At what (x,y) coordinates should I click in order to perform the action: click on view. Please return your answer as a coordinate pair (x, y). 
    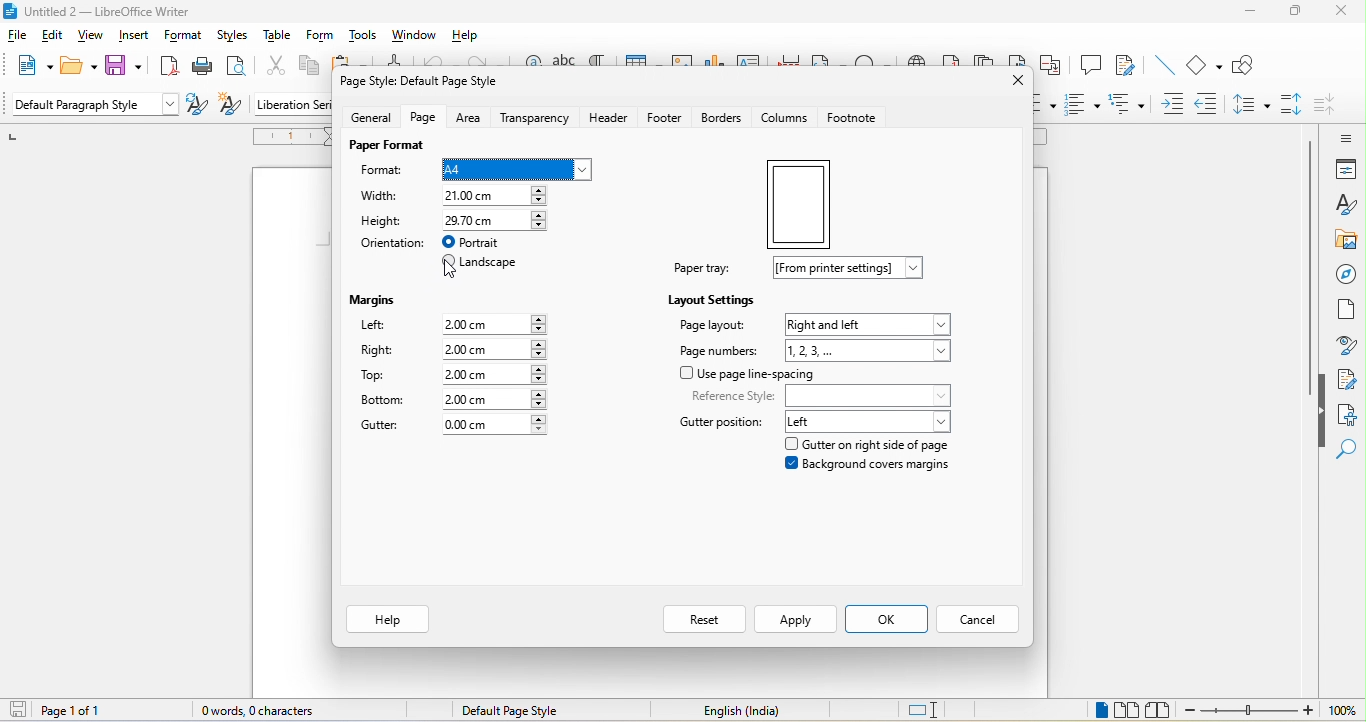
    Looking at the image, I should click on (91, 38).